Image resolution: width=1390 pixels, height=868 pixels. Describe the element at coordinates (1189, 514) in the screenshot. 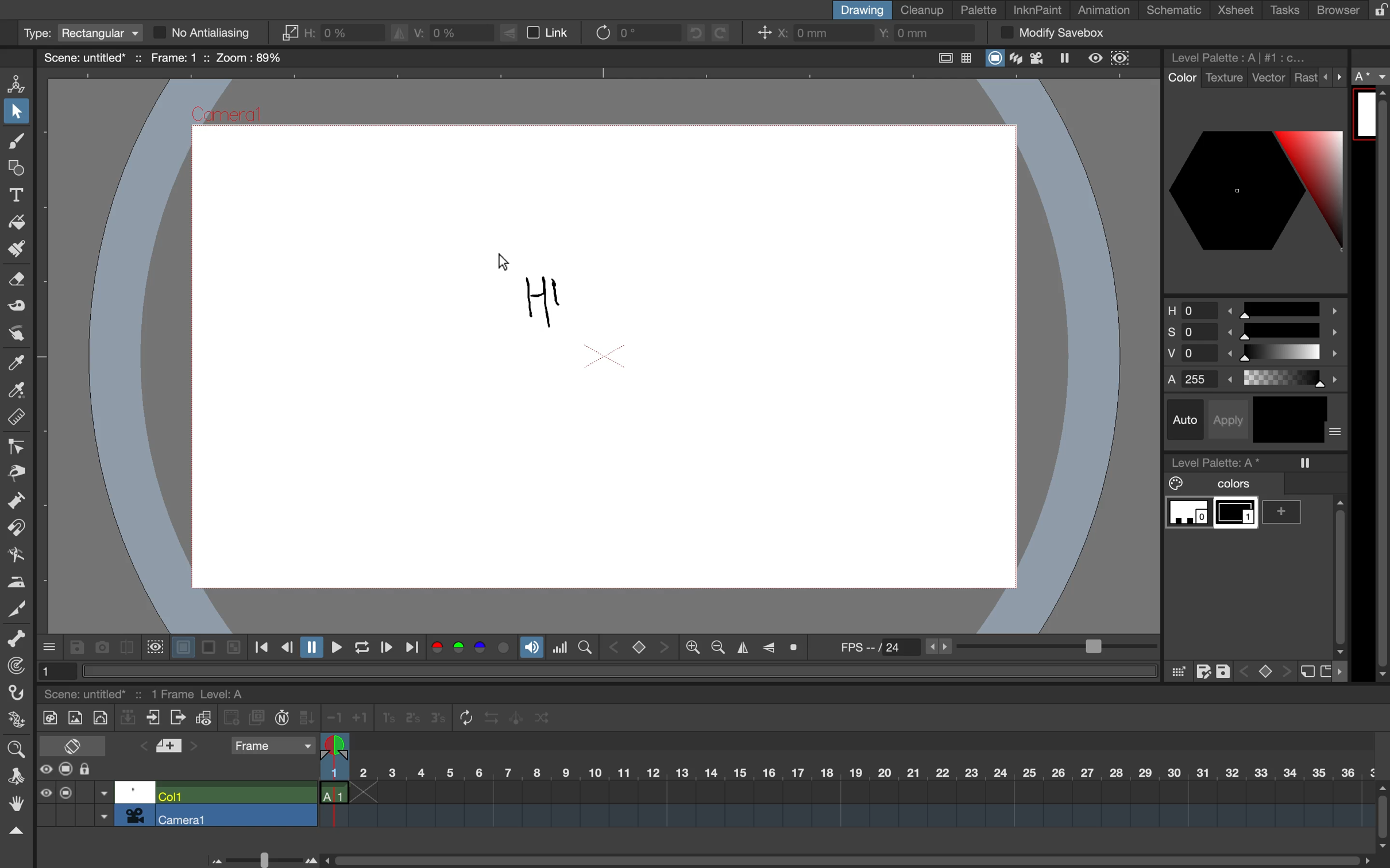

I see `color 0` at that location.